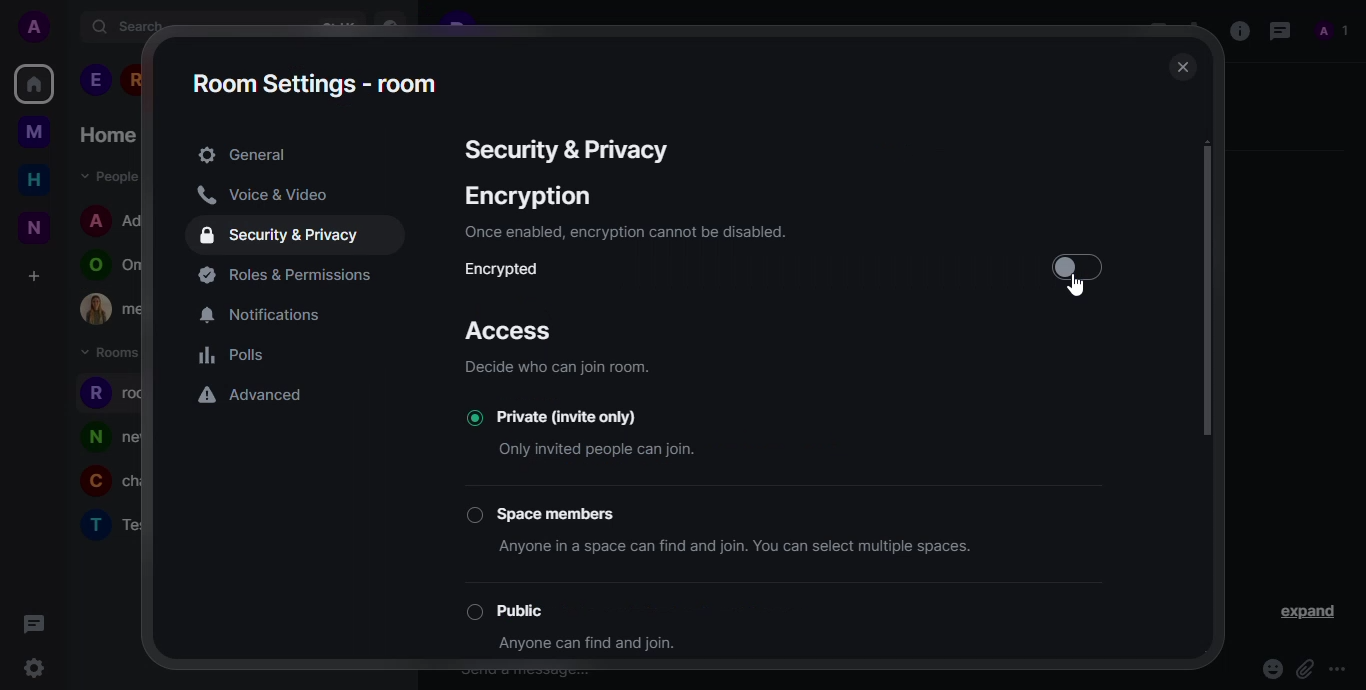  Describe the element at coordinates (510, 270) in the screenshot. I see `encrypted` at that location.